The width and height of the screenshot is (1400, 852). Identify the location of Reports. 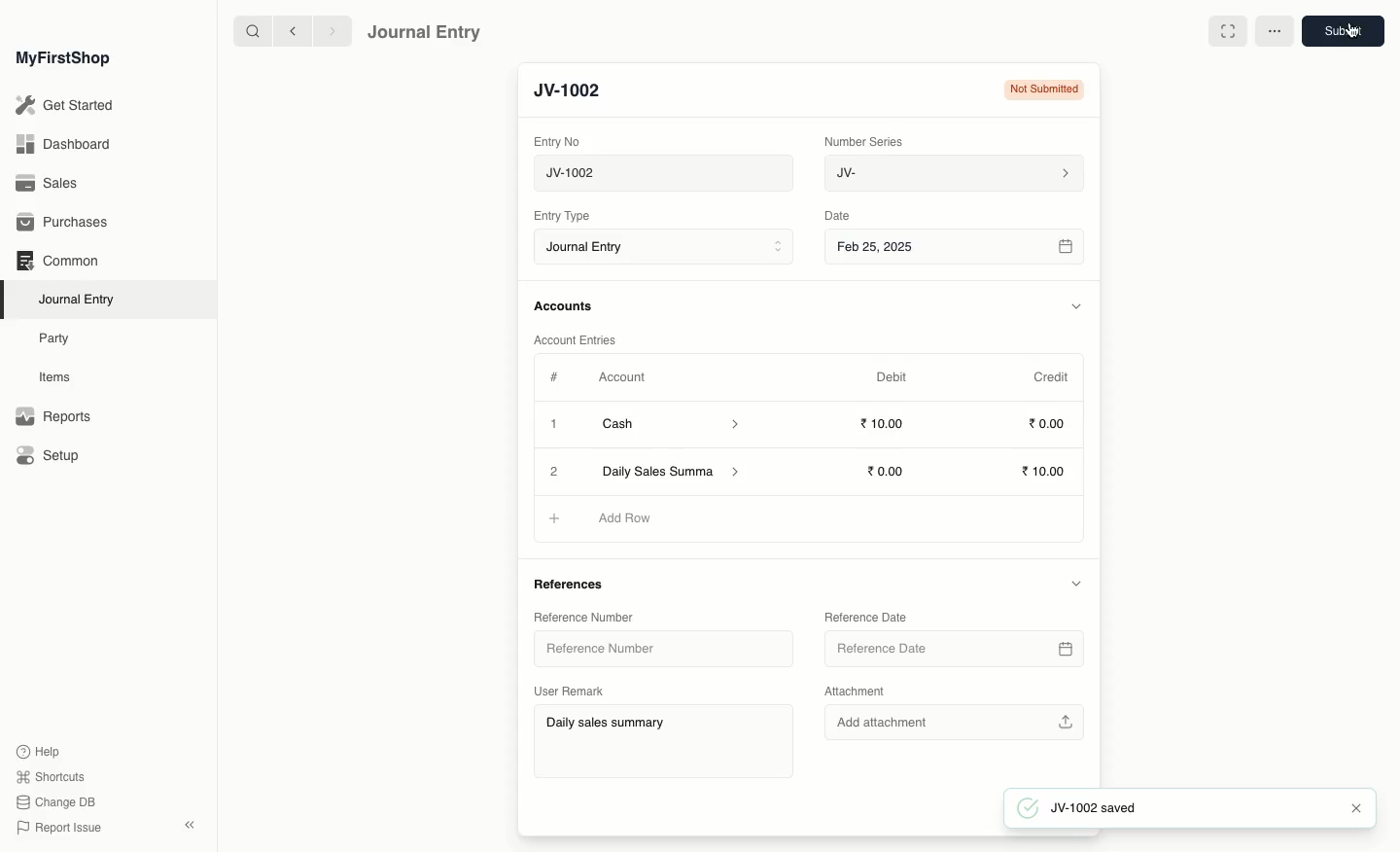
(52, 417).